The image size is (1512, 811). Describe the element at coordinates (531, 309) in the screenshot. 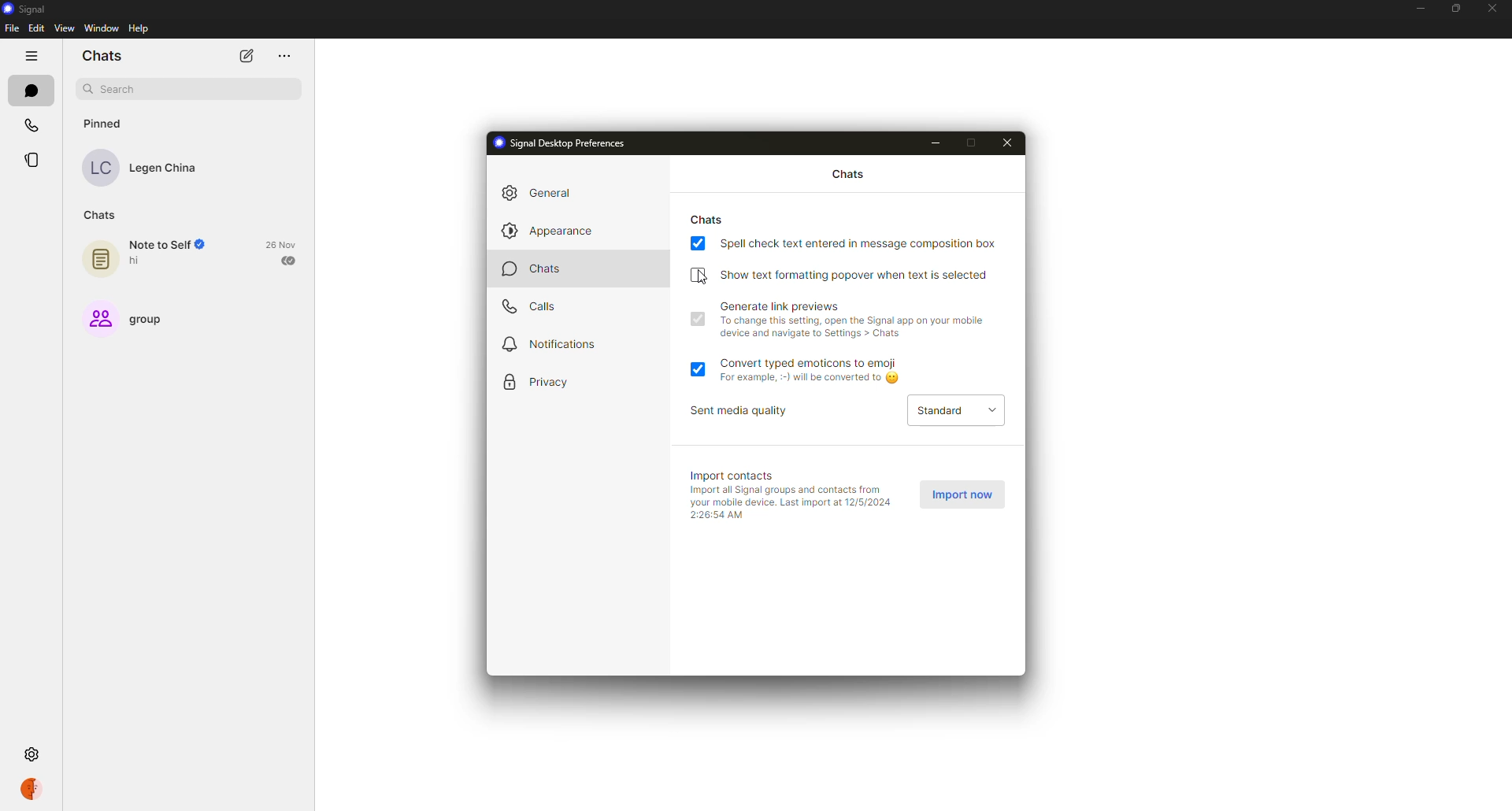

I see `calls` at that location.